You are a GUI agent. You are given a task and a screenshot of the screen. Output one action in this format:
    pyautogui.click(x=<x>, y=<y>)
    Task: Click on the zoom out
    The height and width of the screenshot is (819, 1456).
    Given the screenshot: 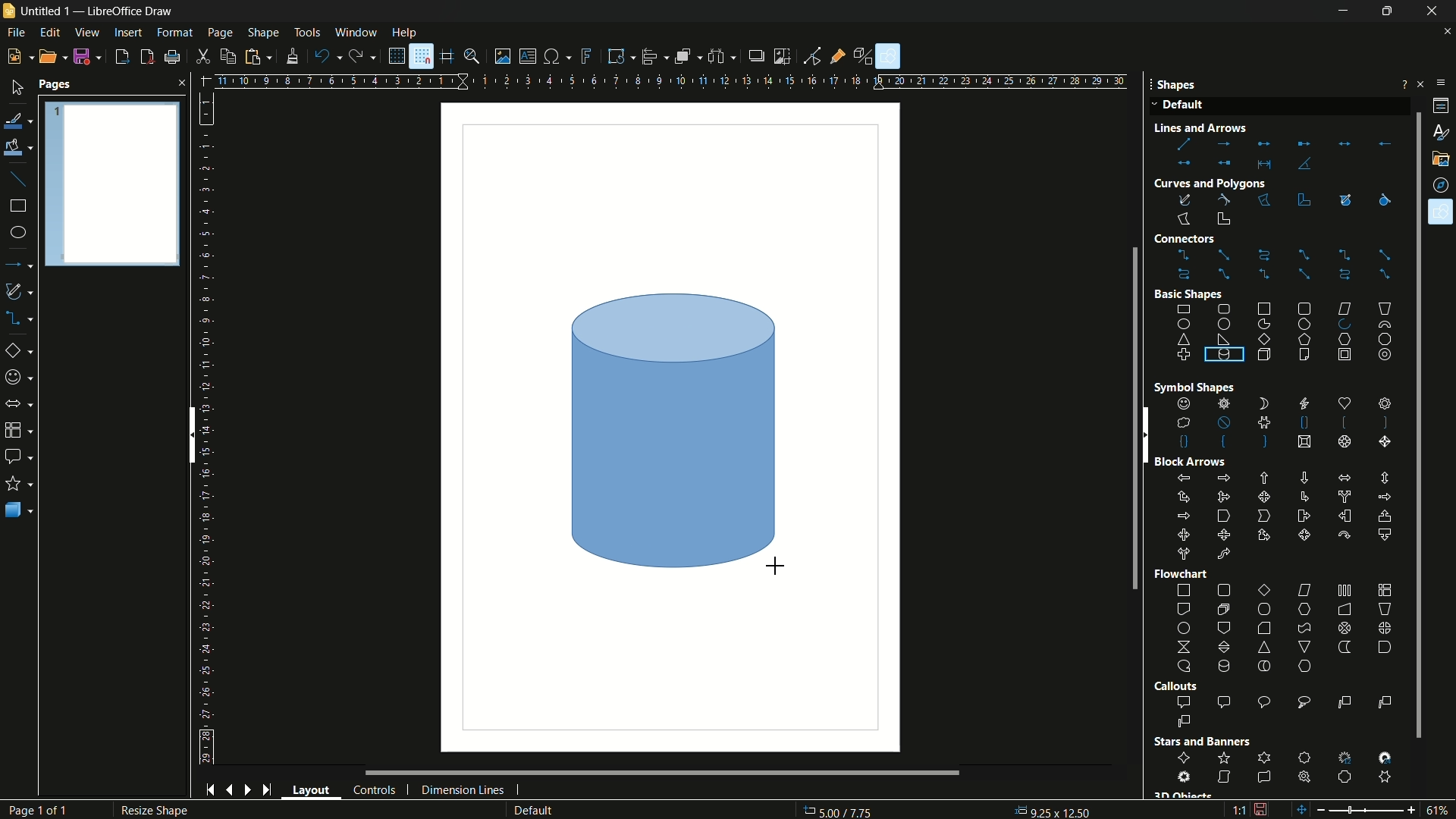 What is the action you would take?
    pyautogui.click(x=1345, y=810)
    